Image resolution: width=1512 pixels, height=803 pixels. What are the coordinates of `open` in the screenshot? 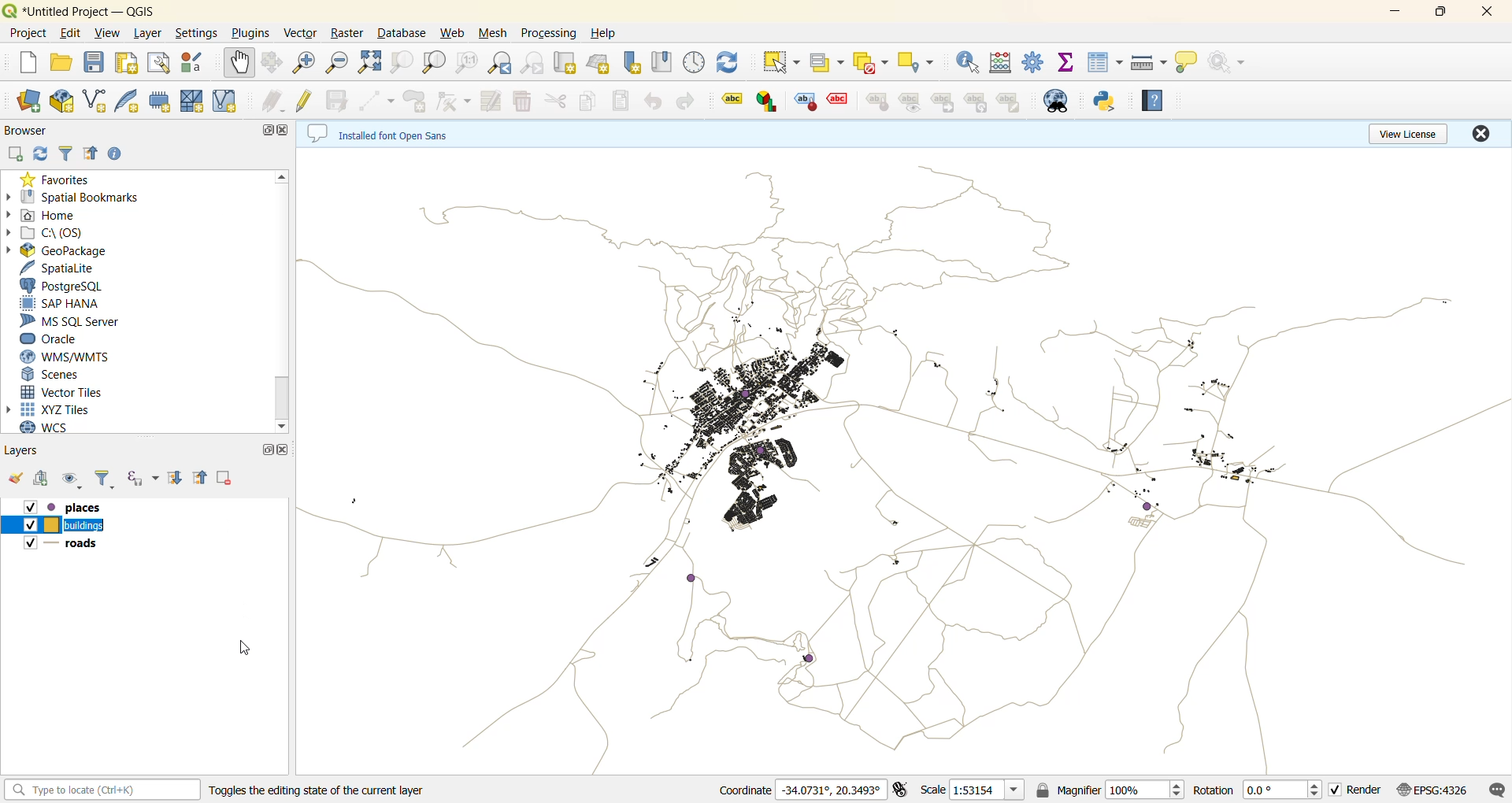 It's located at (17, 479).